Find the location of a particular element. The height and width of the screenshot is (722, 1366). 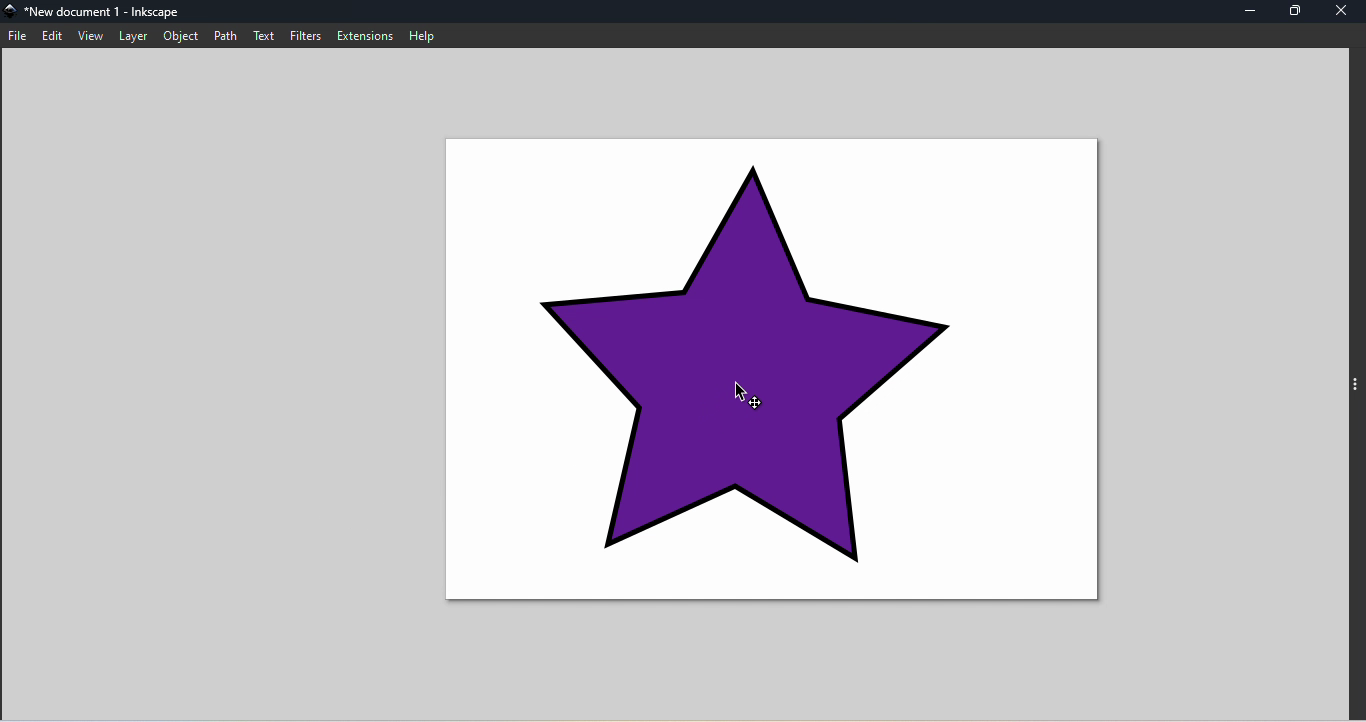

cursor is located at coordinates (750, 397).